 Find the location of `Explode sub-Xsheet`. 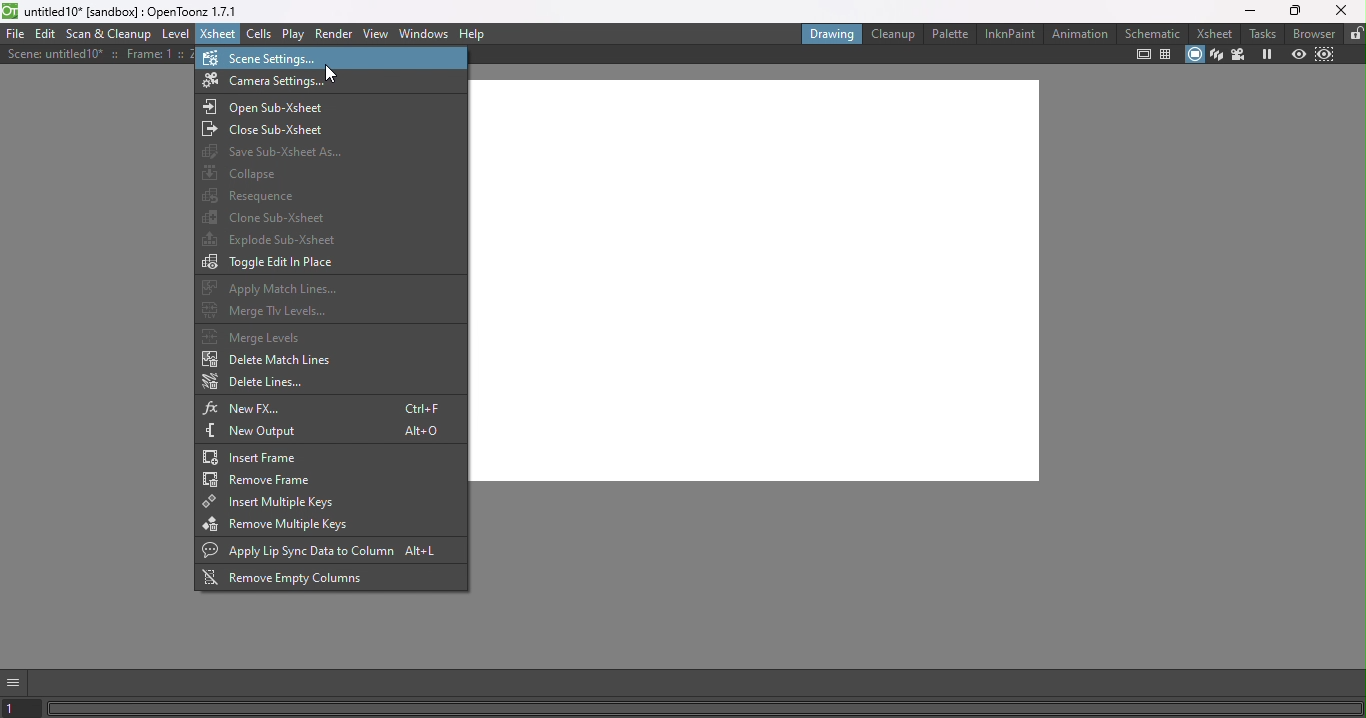

Explode sub-Xsheet is located at coordinates (269, 238).